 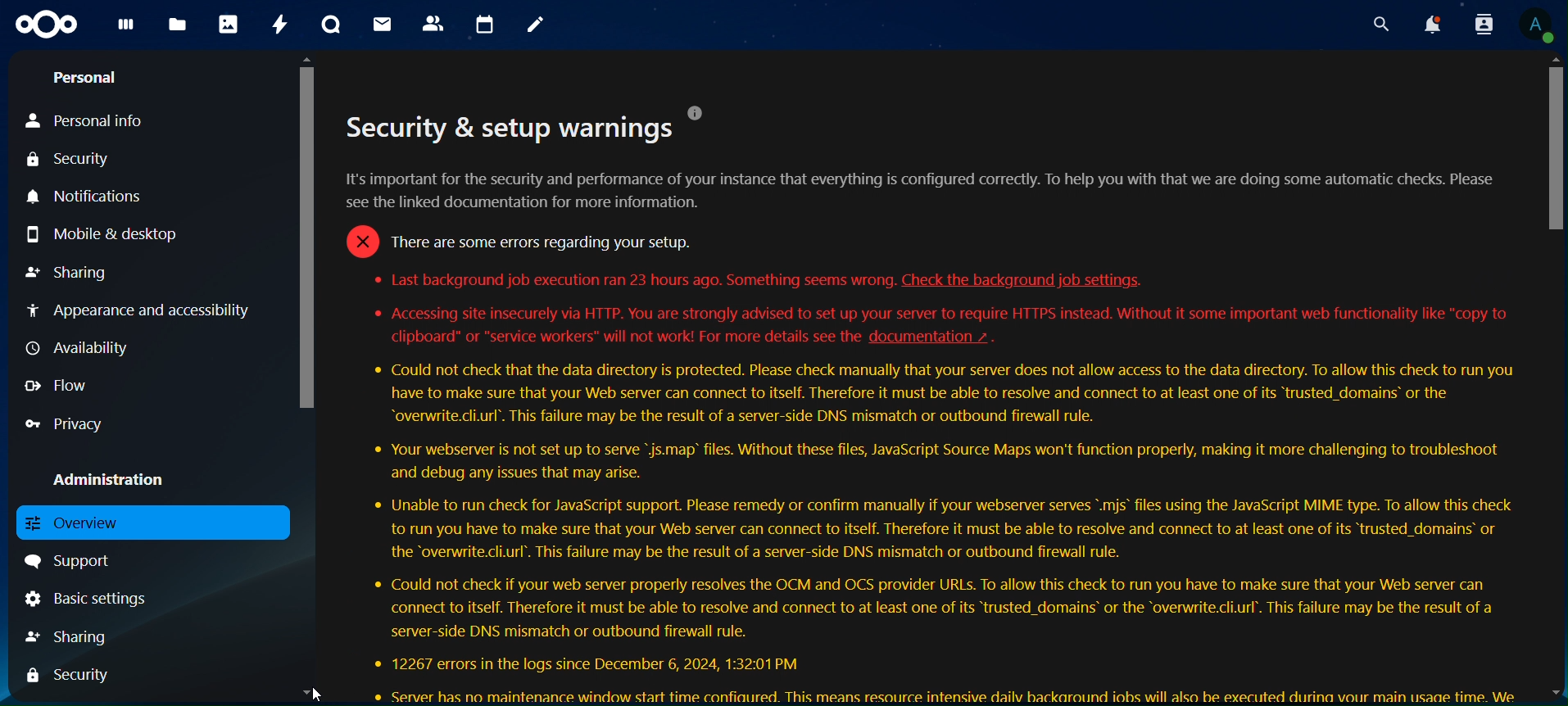 I want to click on search contacts, so click(x=1480, y=25).